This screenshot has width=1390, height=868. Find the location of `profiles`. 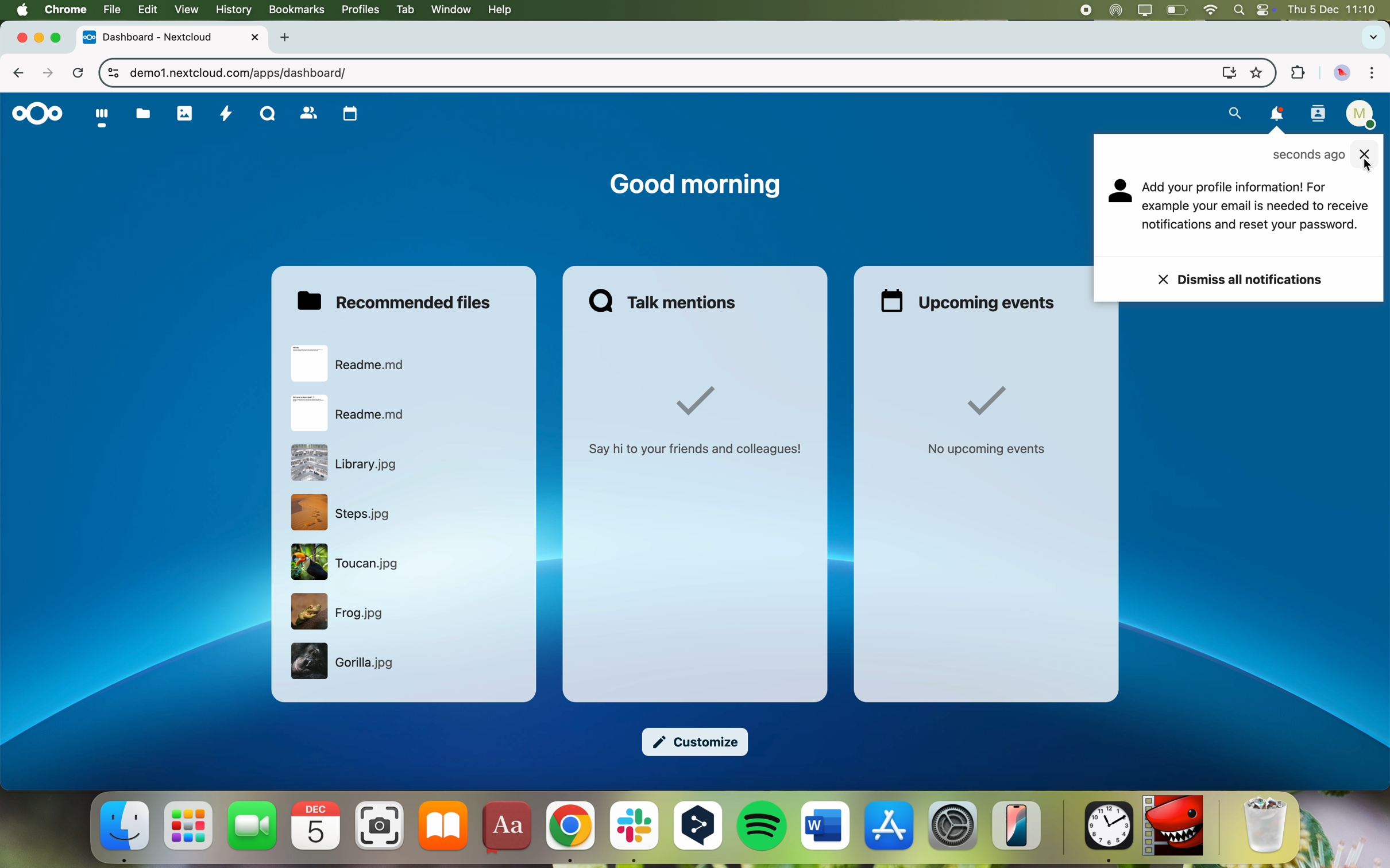

profiles is located at coordinates (359, 10).